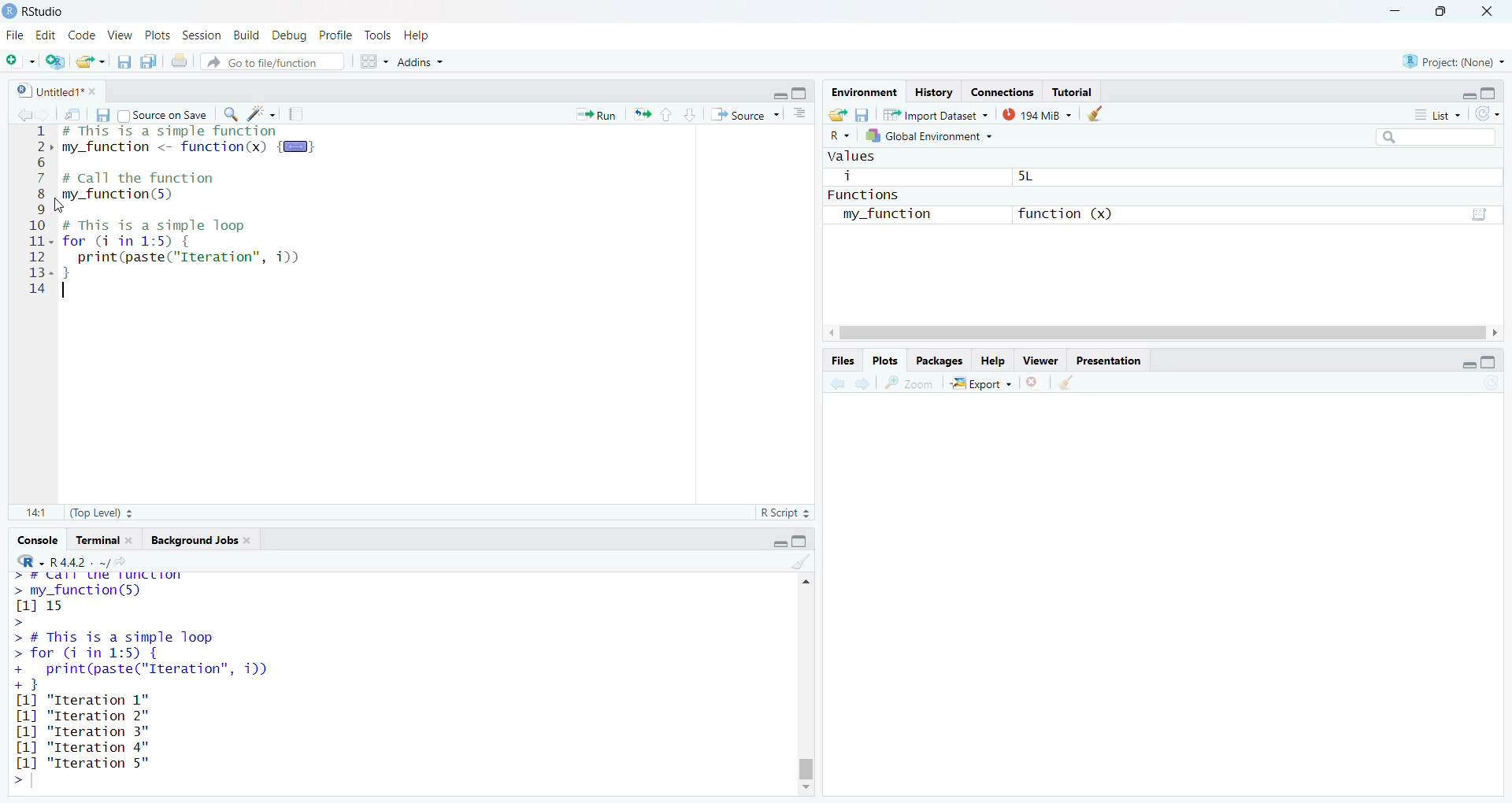  I want to click on 5L, so click(1036, 178).